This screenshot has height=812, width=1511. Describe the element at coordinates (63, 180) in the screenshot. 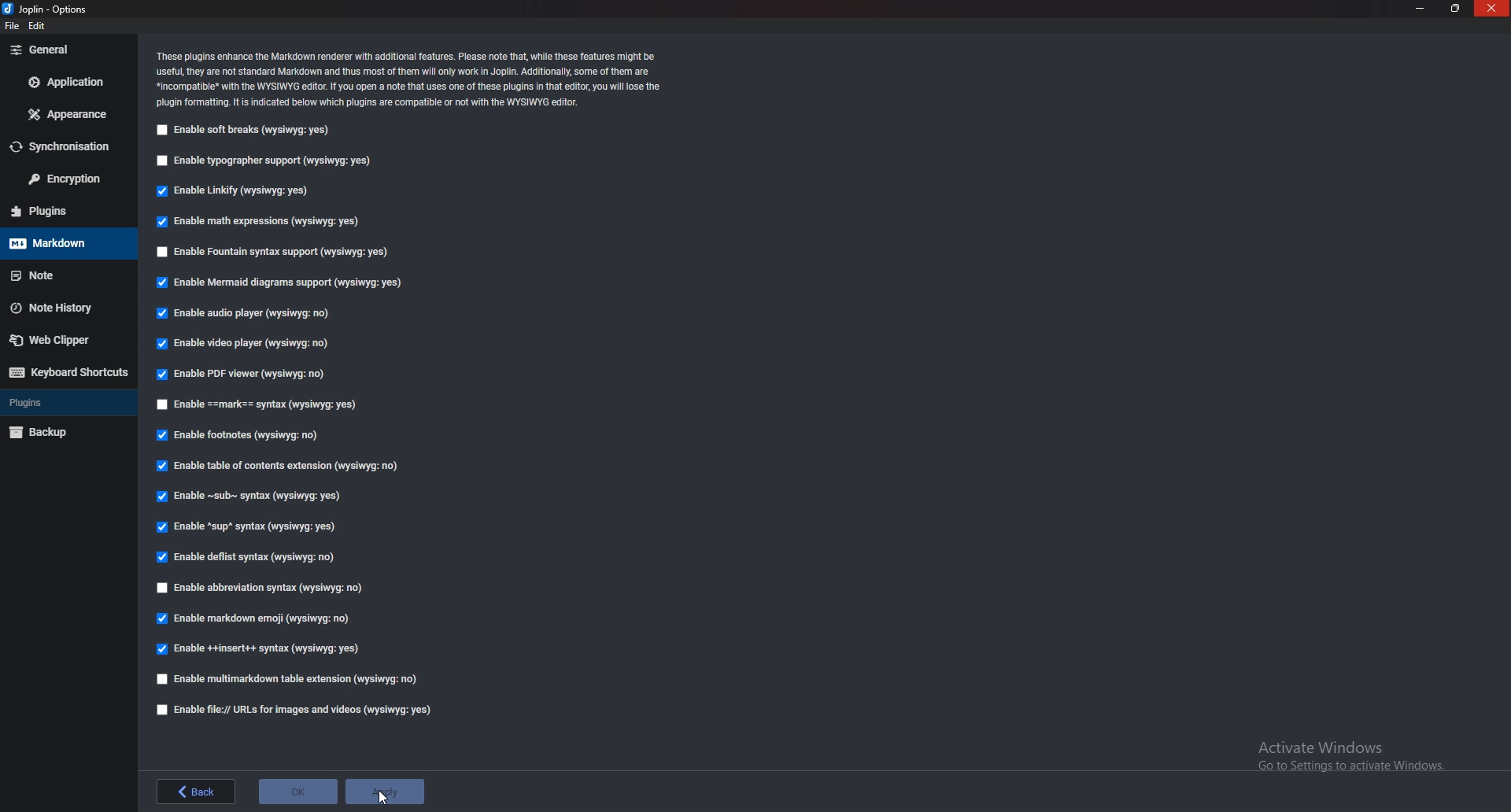

I see `Encryption` at that location.